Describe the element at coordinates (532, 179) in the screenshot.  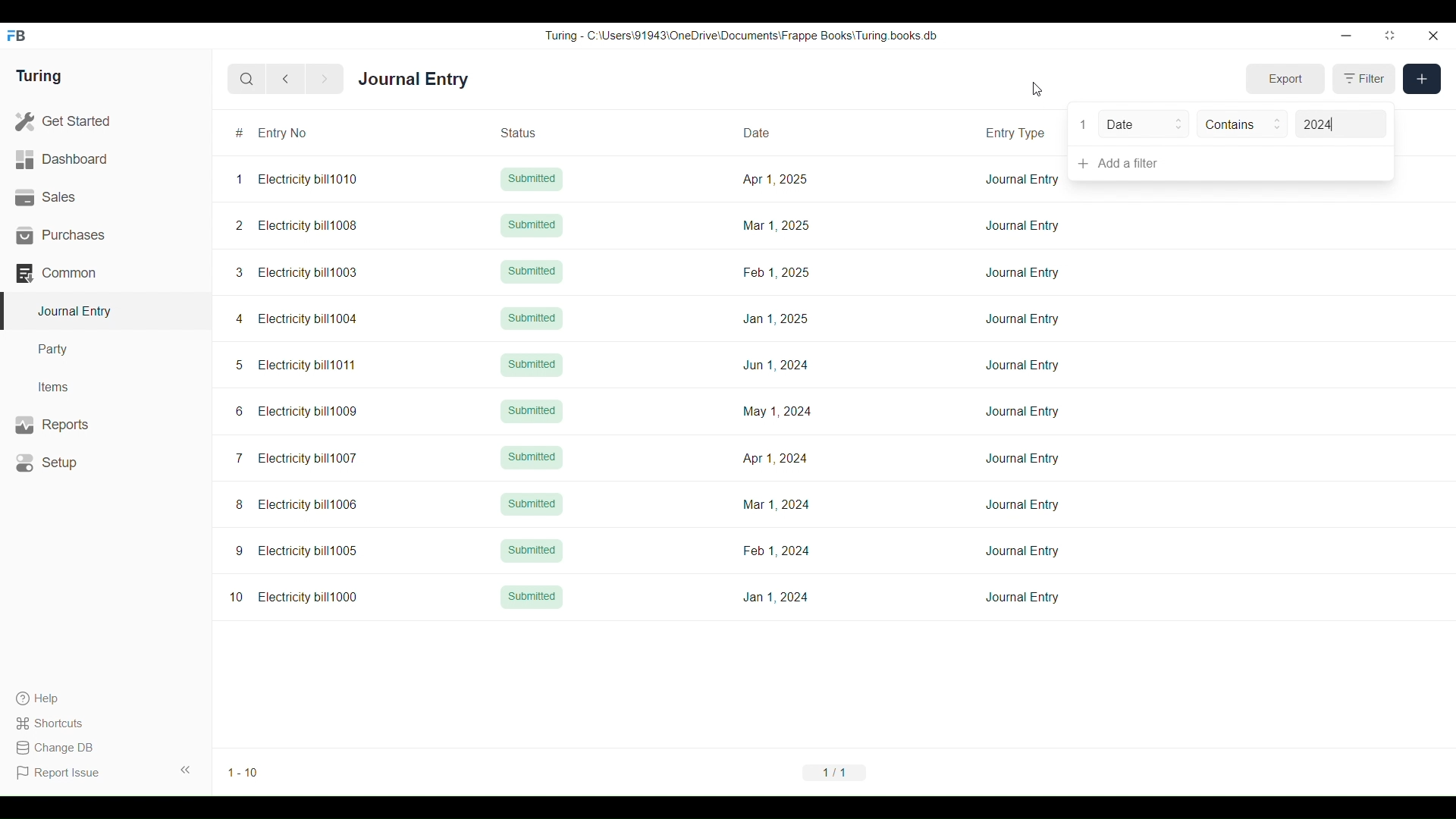
I see `Submitted` at that location.